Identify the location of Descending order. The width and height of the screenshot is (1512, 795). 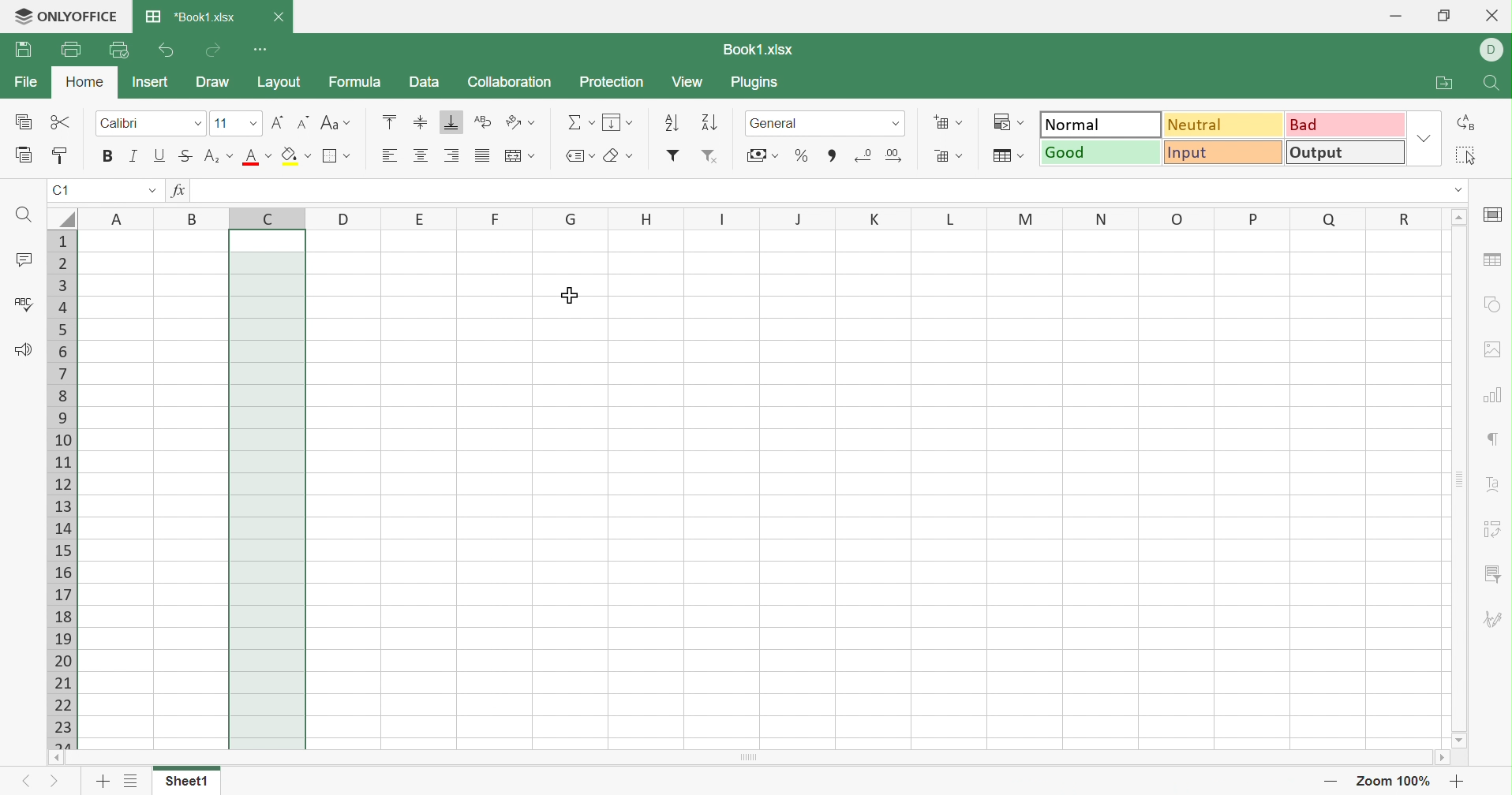
(707, 125).